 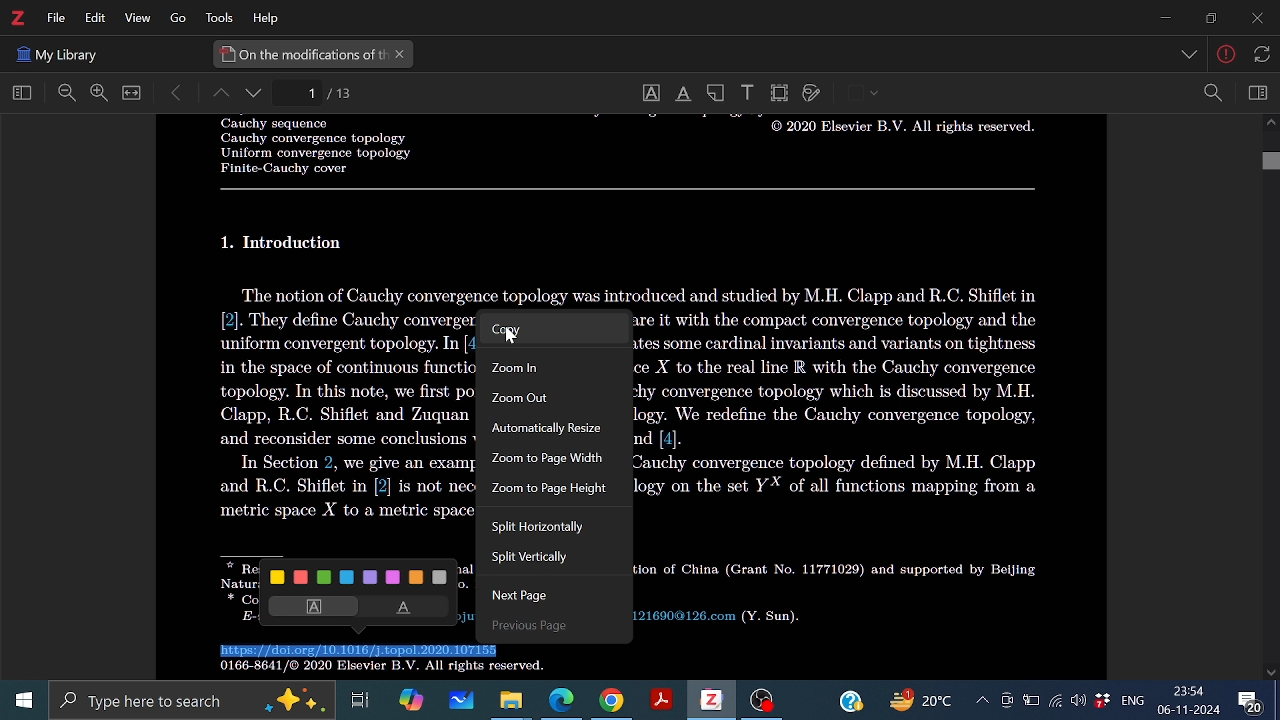 What do you see at coordinates (925, 701) in the screenshot?
I see `Weather` at bounding box center [925, 701].